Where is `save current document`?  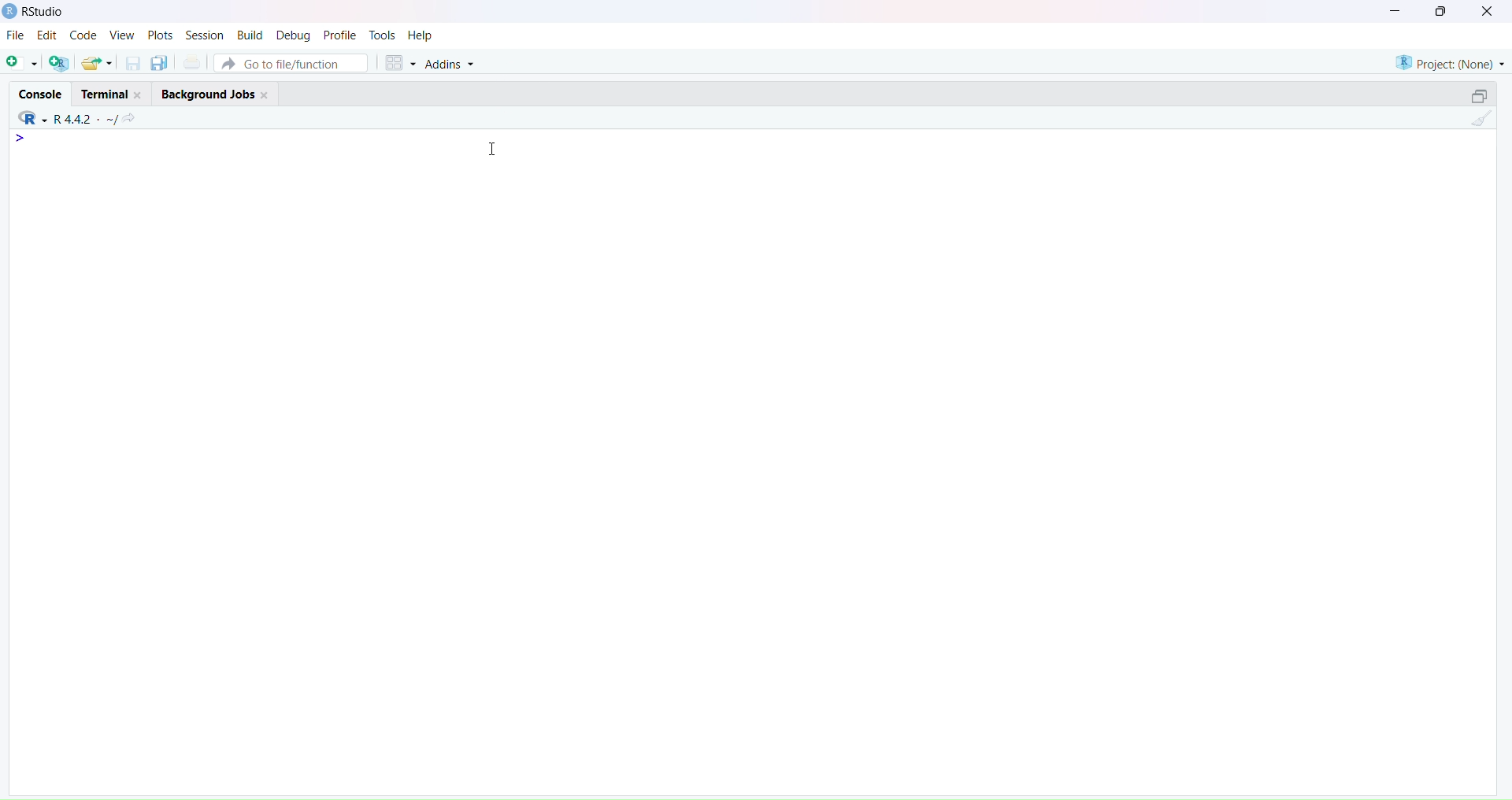 save current document is located at coordinates (132, 64).